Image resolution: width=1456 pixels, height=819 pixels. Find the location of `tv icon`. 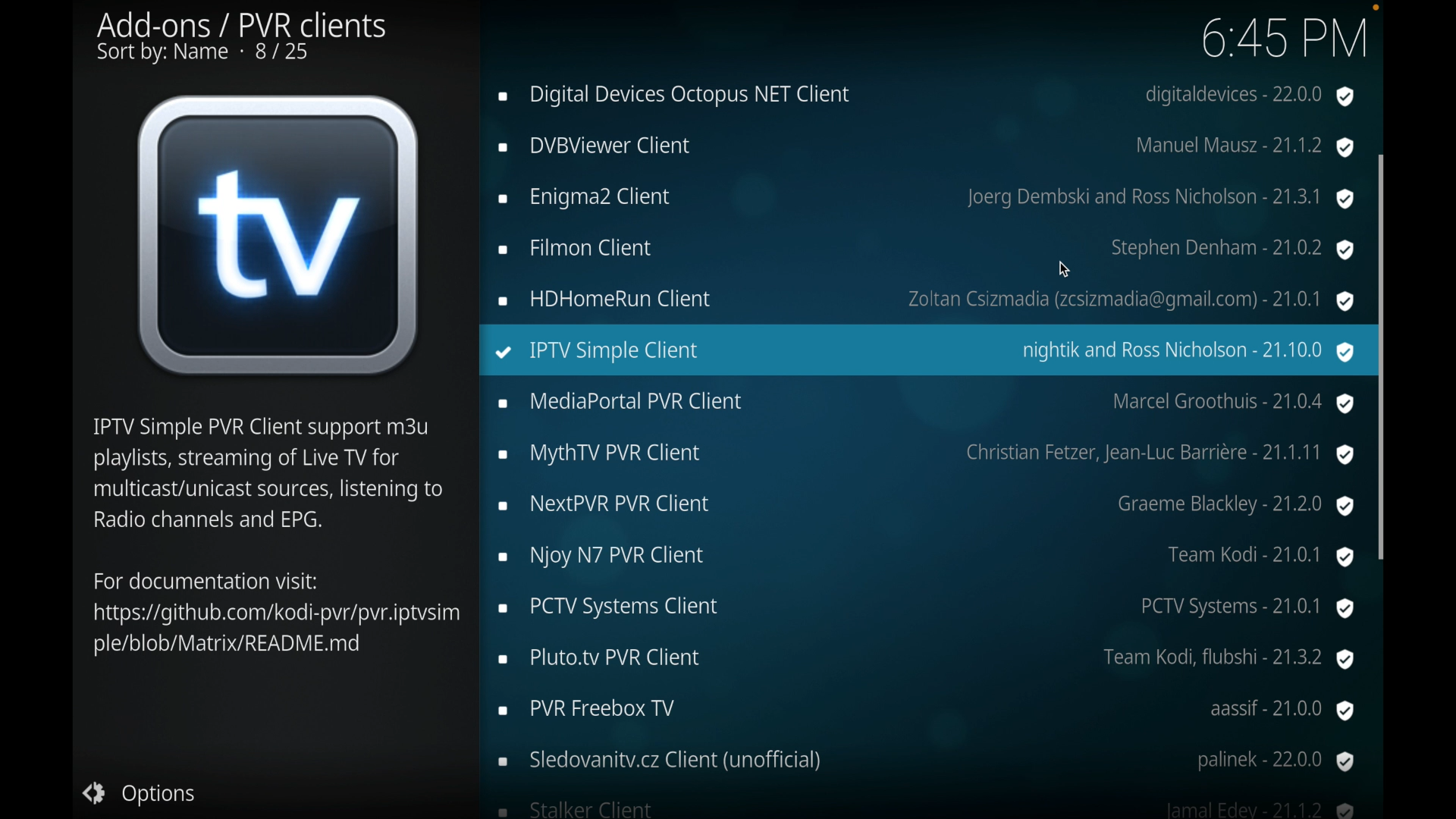

tv icon is located at coordinates (279, 234).